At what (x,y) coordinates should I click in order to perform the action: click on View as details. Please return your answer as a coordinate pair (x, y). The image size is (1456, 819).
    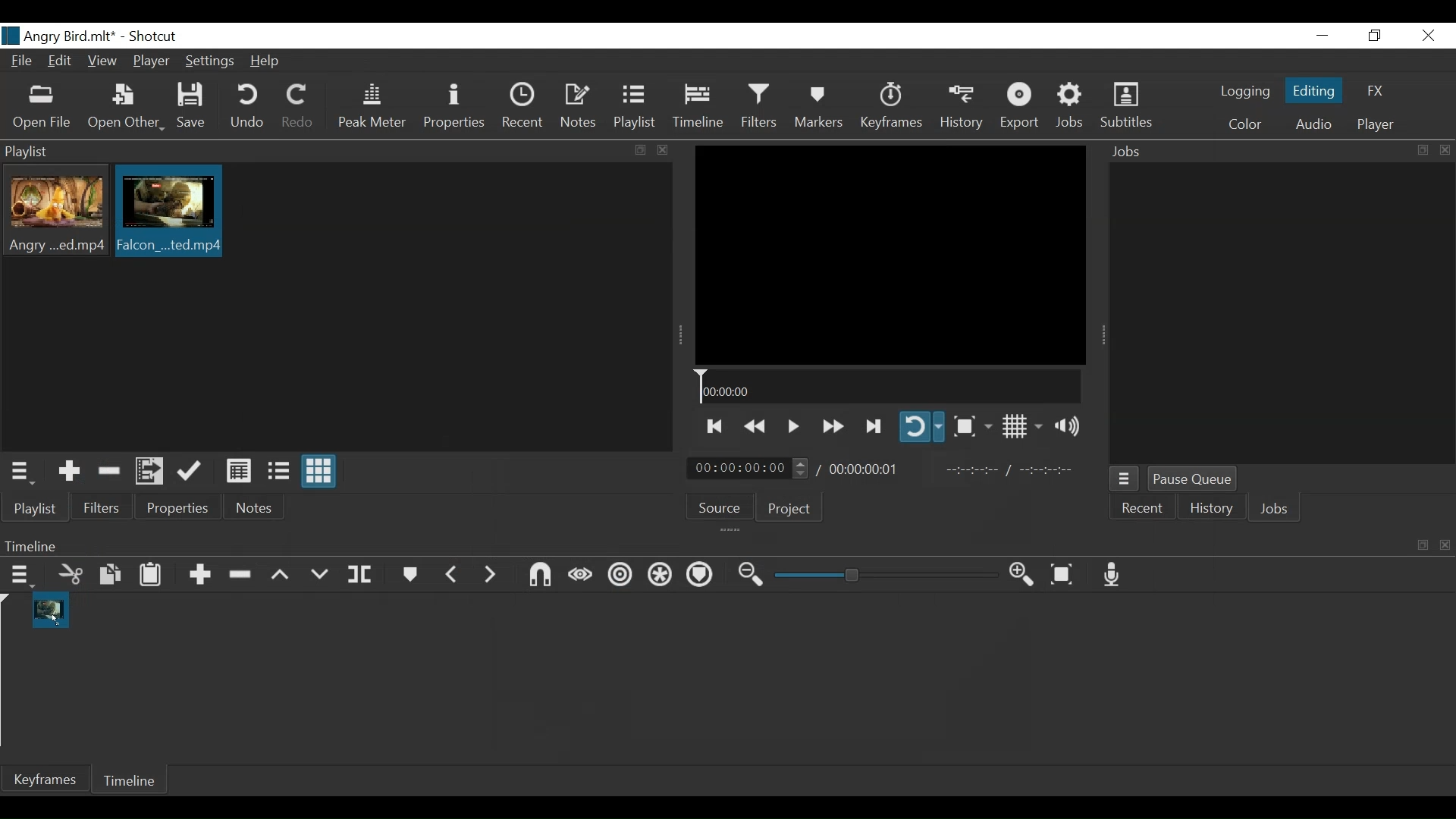
    Looking at the image, I should click on (240, 472).